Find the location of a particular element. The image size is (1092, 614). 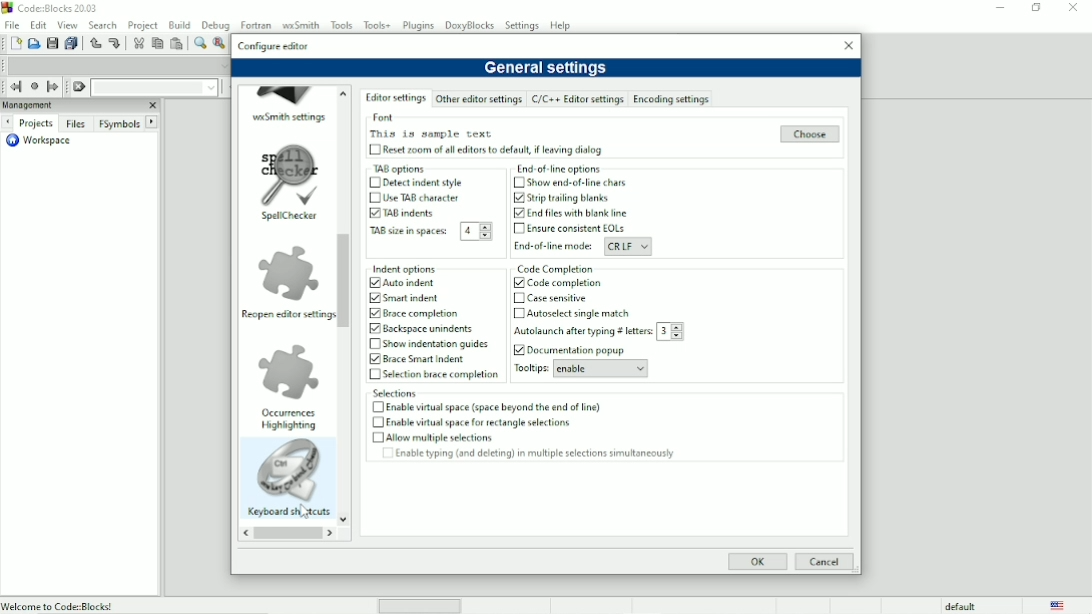

image is located at coordinates (289, 173).